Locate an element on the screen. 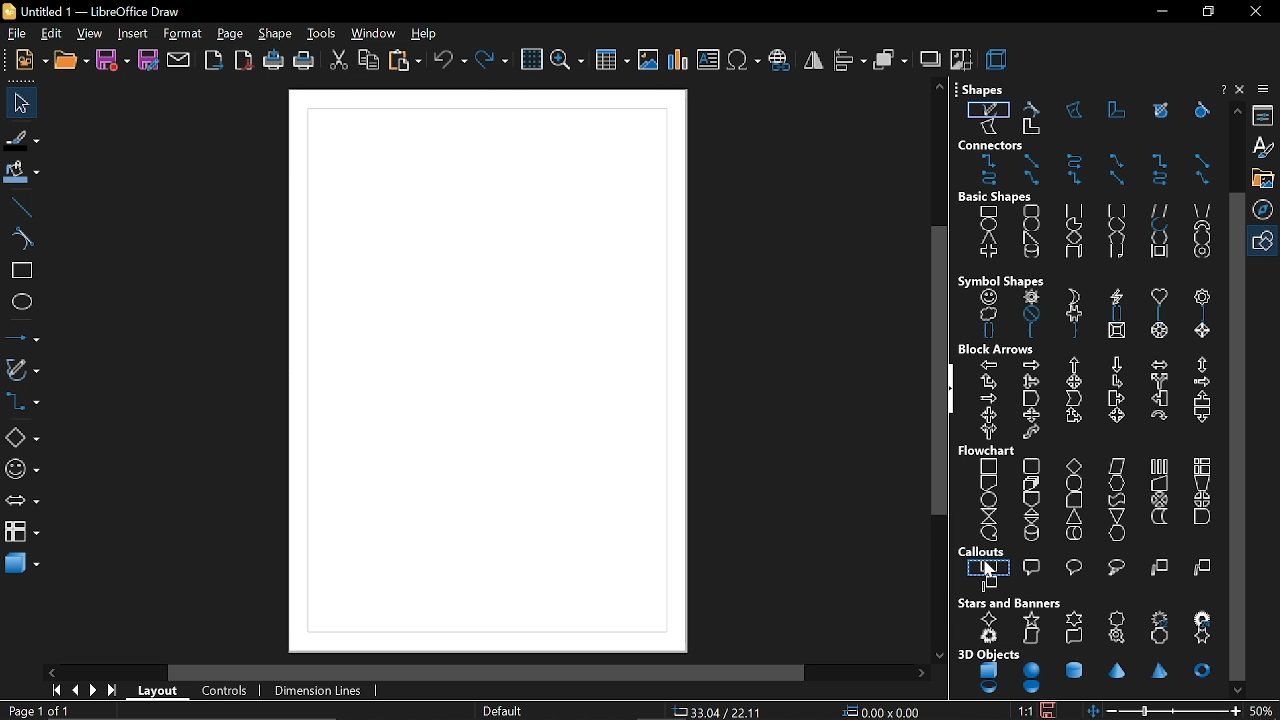 The width and height of the screenshot is (1280, 720). flower is located at coordinates (1201, 296).